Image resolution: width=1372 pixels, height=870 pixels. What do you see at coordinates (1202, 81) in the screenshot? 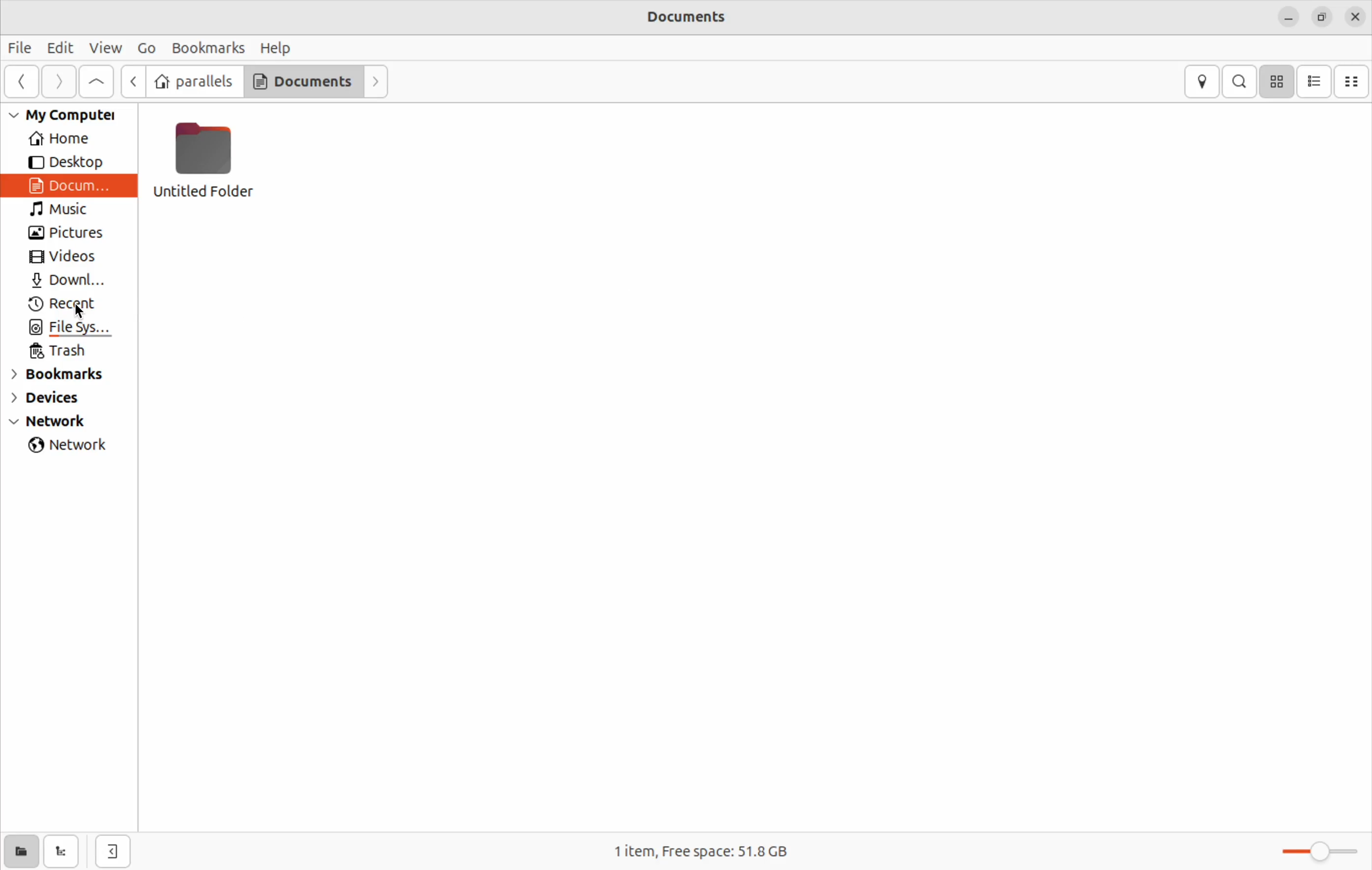
I see `location` at bounding box center [1202, 81].